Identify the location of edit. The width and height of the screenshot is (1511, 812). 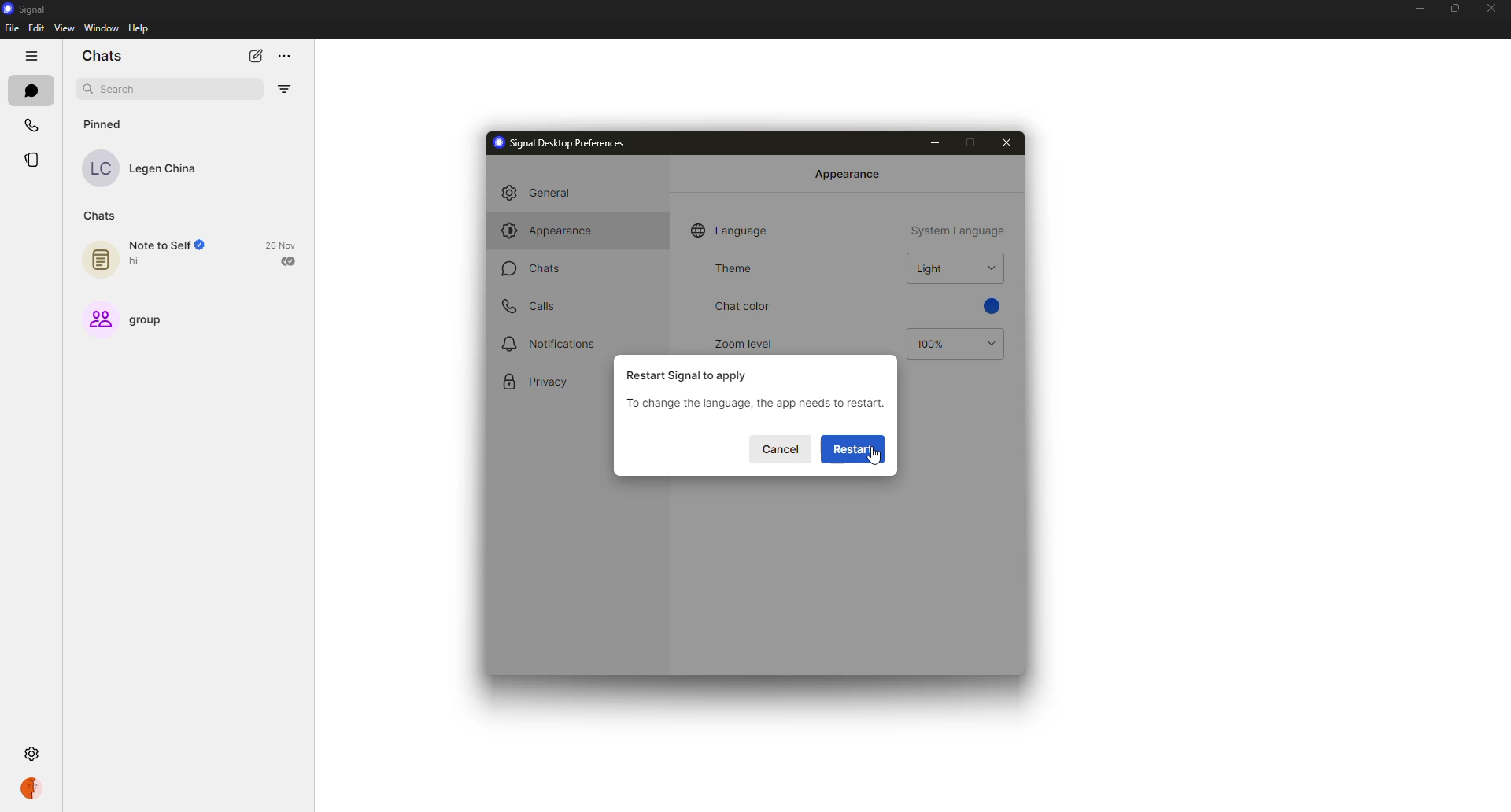
(36, 28).